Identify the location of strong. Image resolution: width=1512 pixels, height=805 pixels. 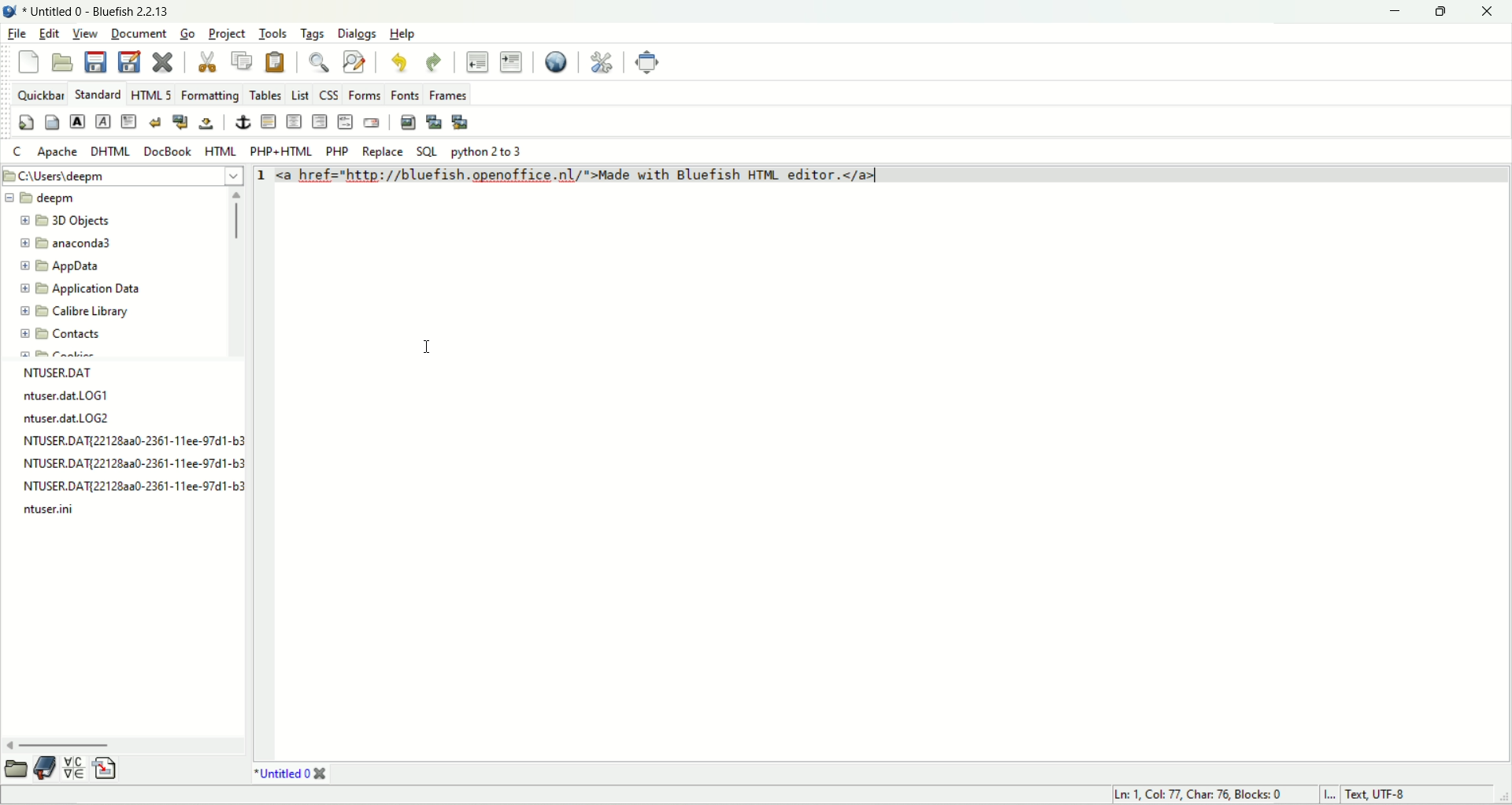
(76, 123).